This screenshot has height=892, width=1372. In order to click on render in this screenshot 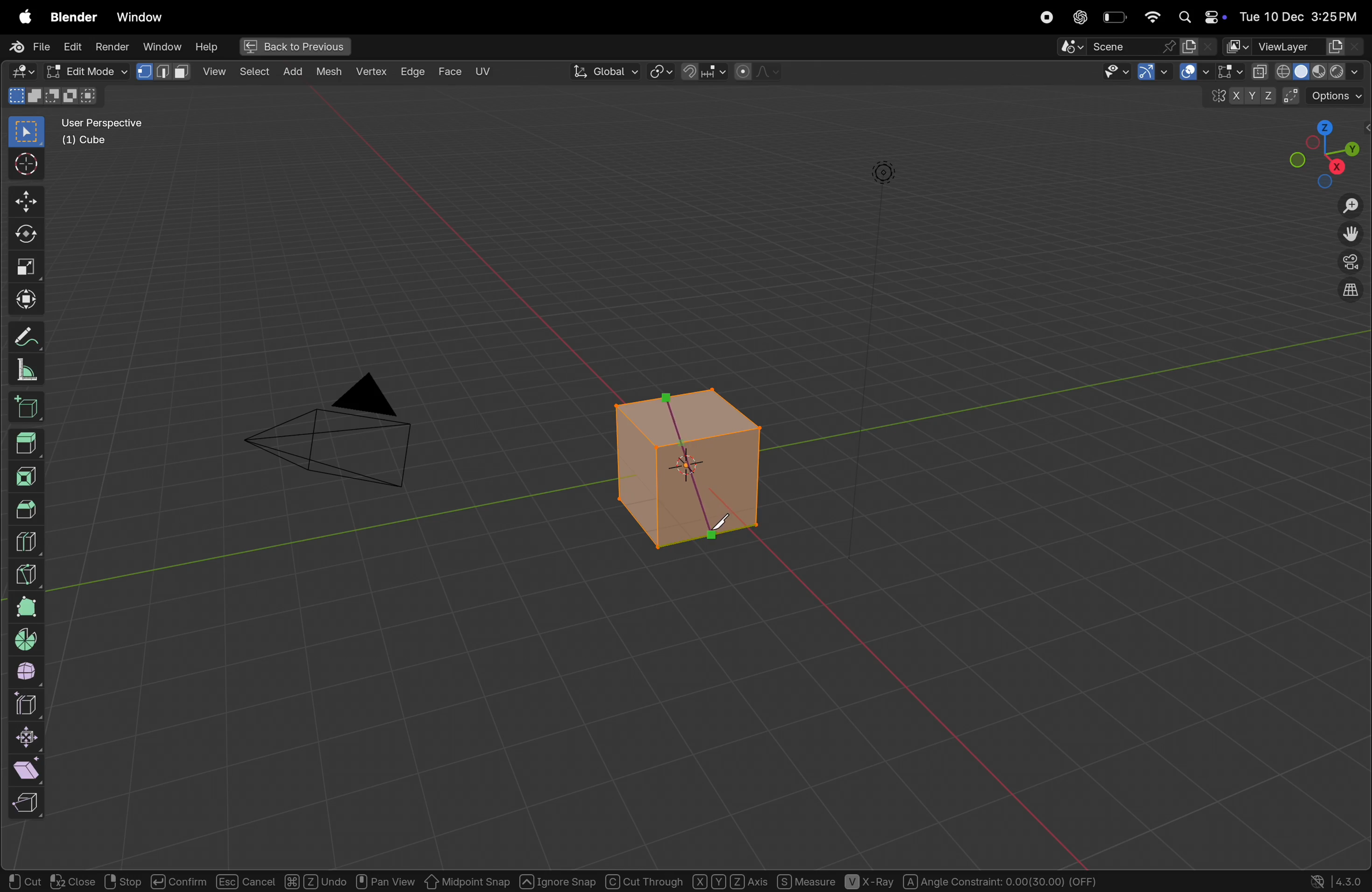, I will do `click(114, 46)`.